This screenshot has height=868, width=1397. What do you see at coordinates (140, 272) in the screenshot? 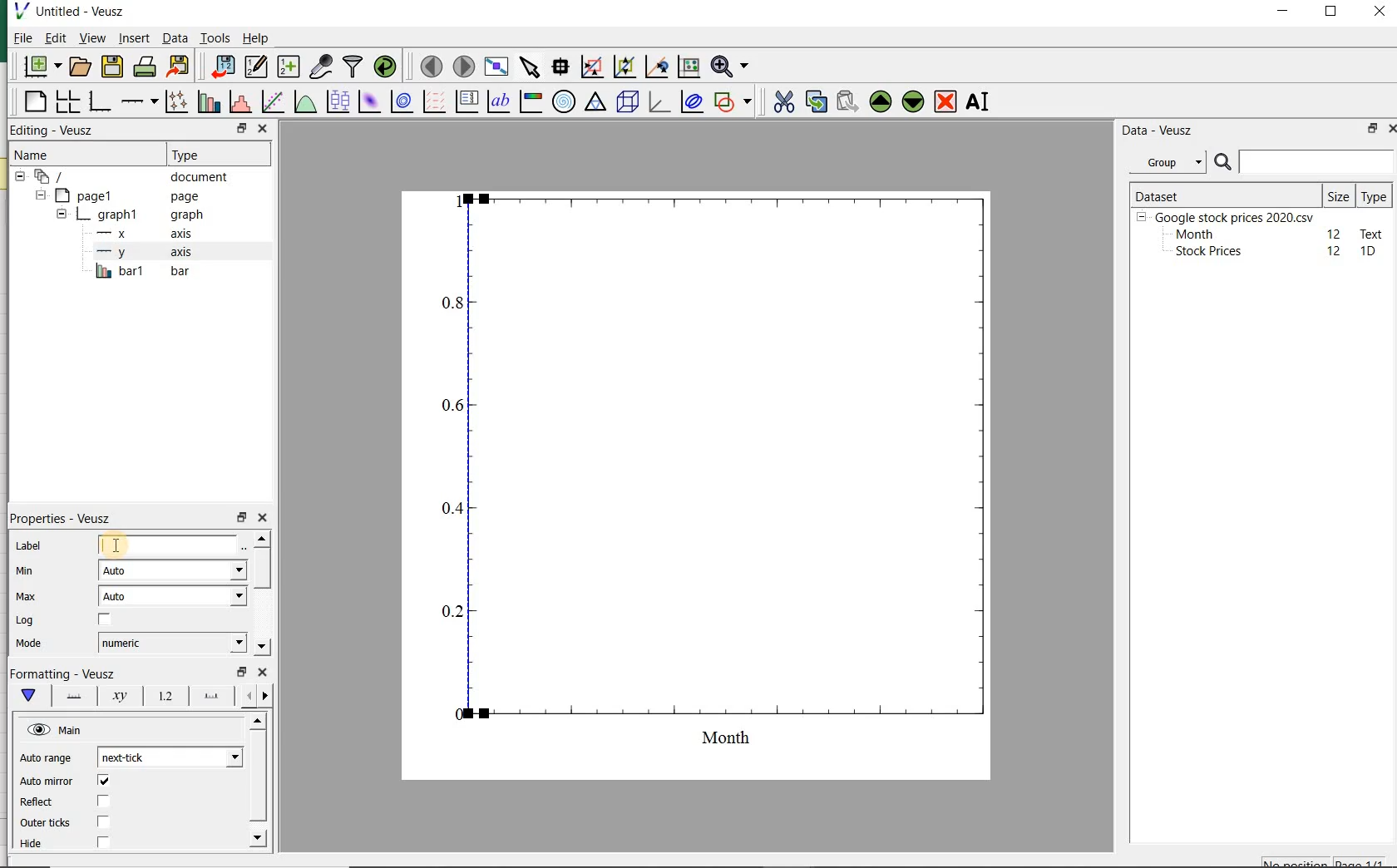
I see `bar1` at bounding box center [140, 272].